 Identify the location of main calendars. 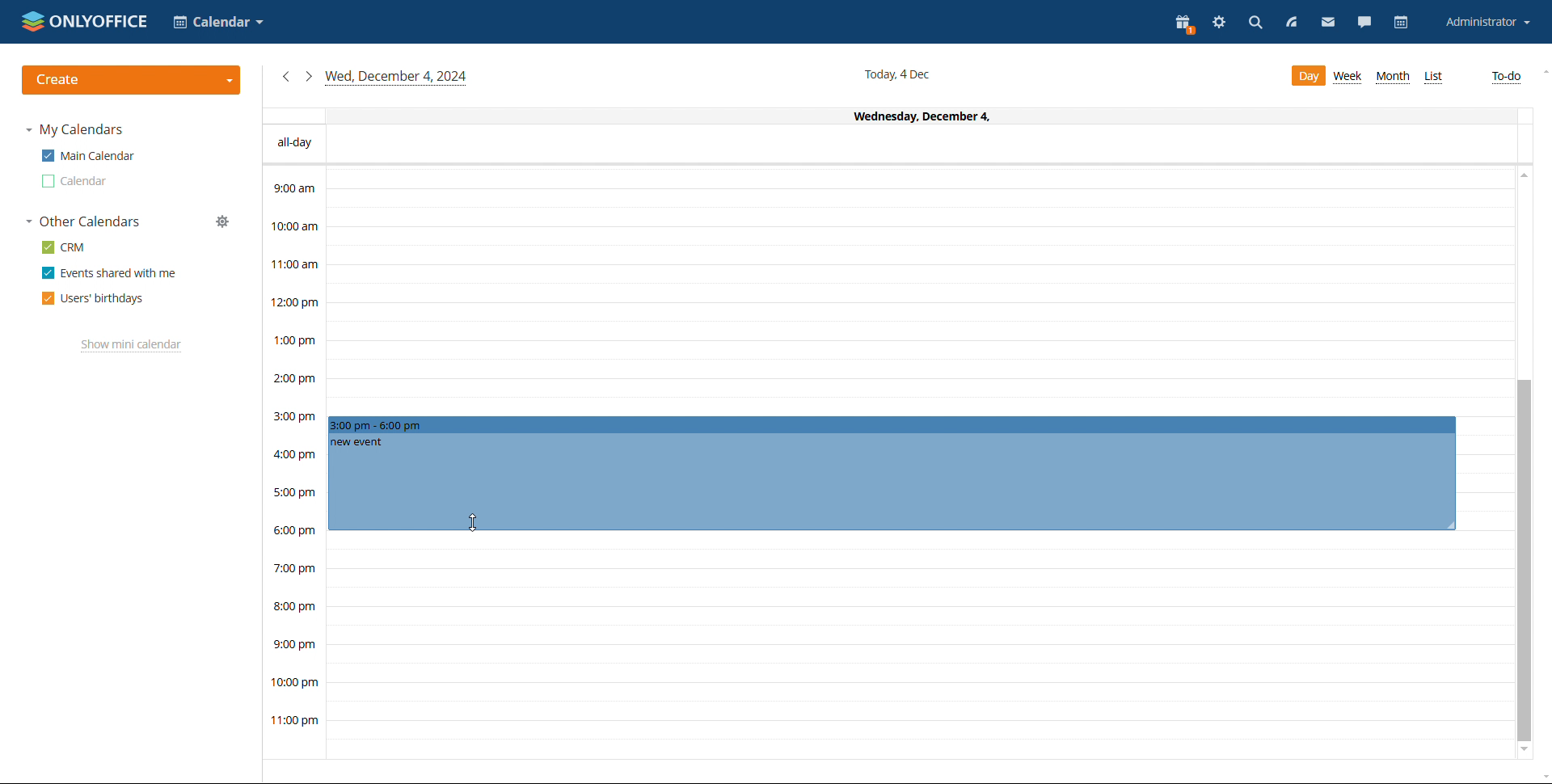
(87, 156).